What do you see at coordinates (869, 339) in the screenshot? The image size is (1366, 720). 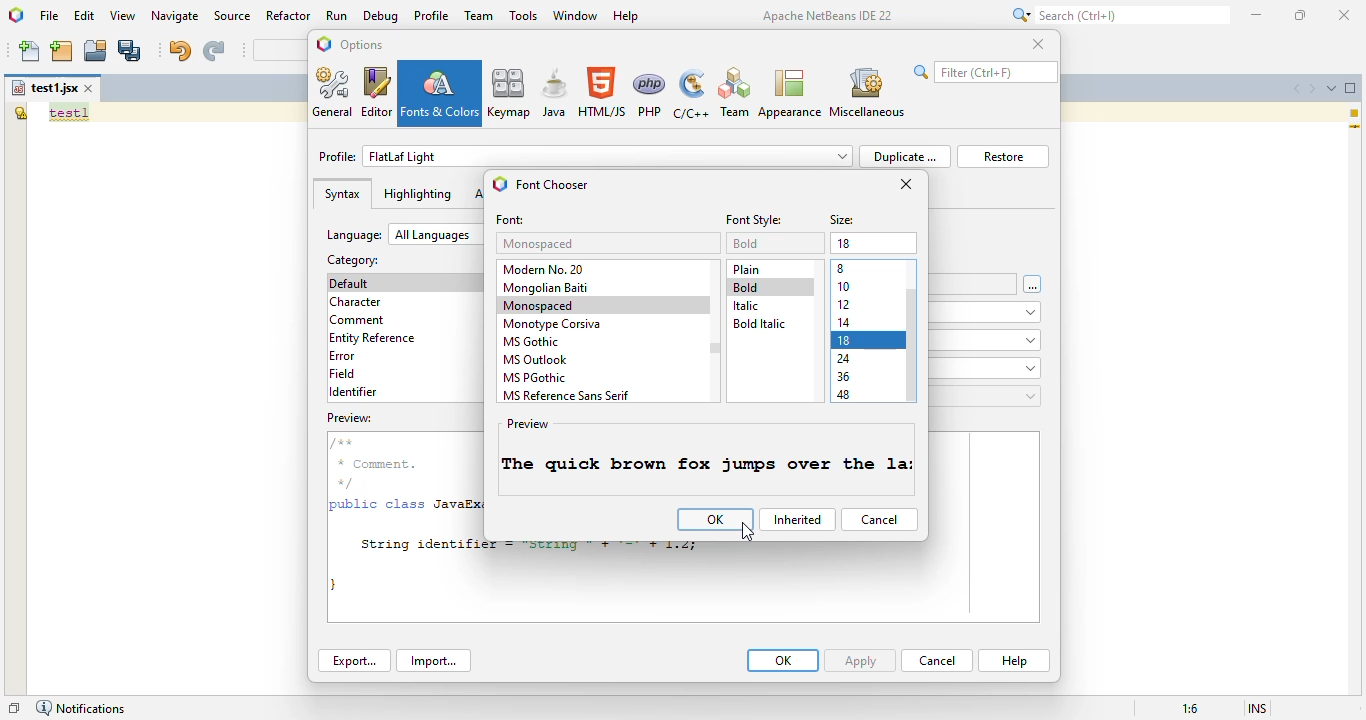 I see `size 18 selected` at bounding box center [869, 339].